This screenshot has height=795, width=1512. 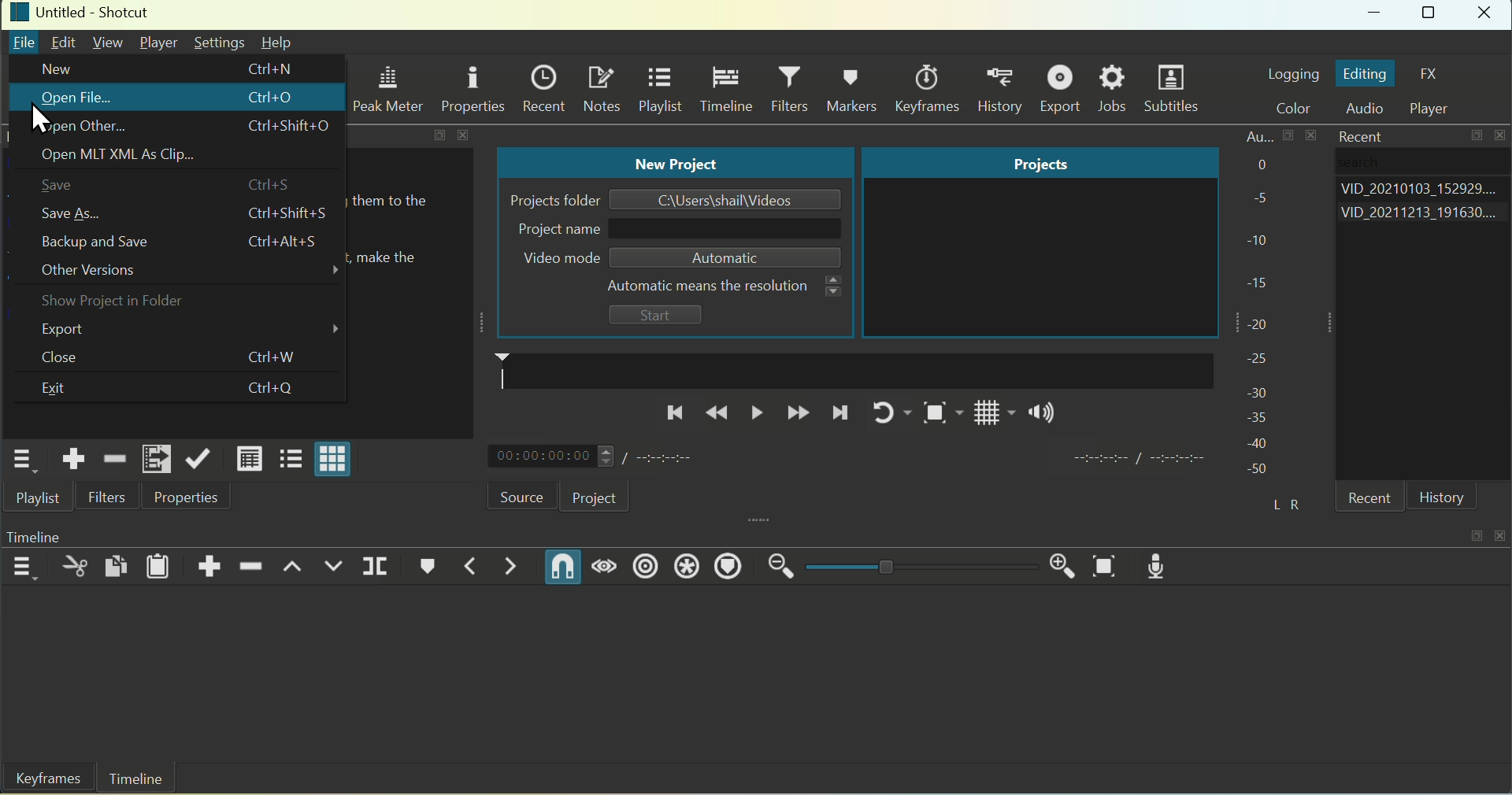 I want to click on Source, so click(x=510, y=496).